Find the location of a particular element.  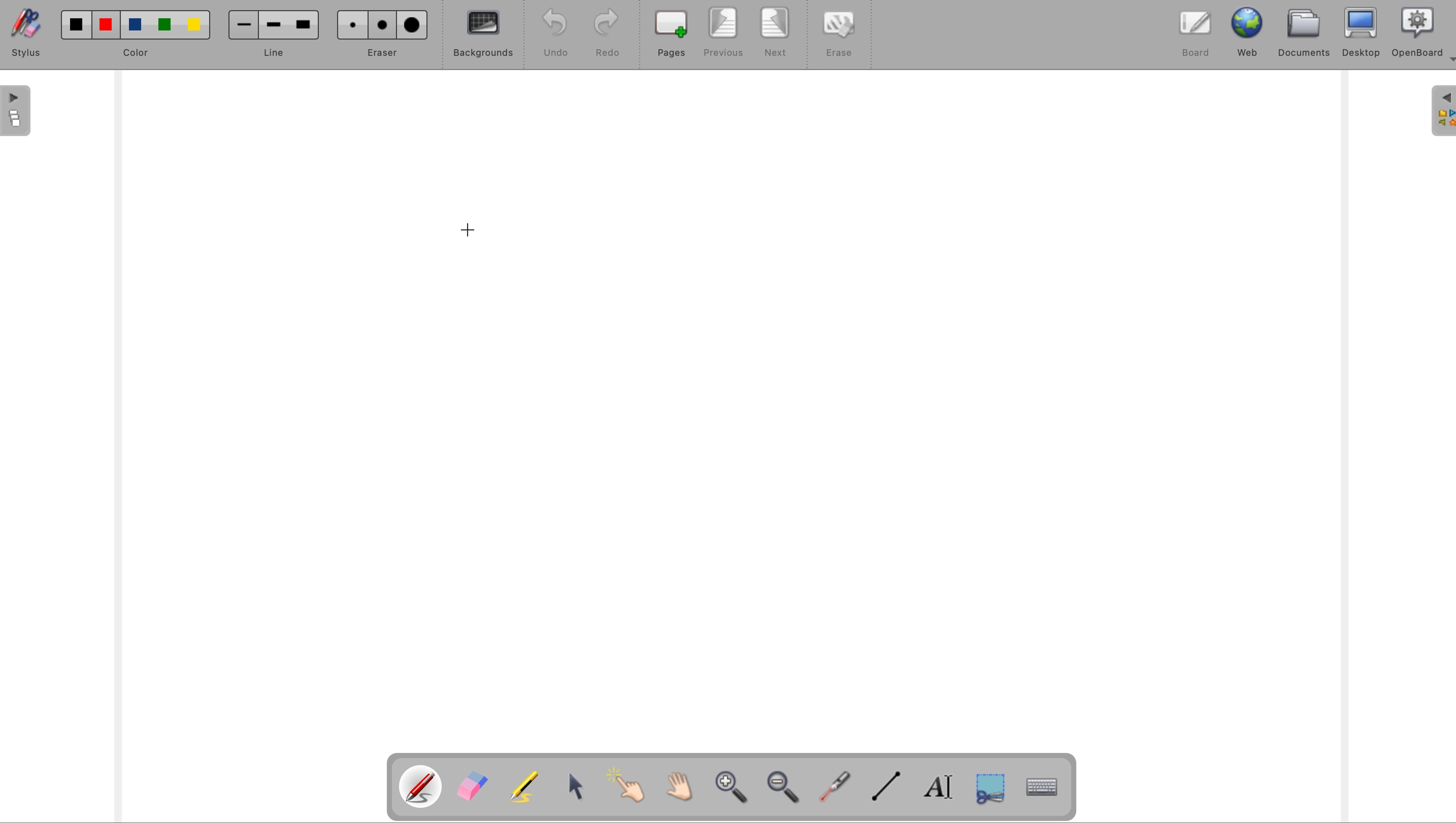

display keyboard is located at coordinates (1046, 789).